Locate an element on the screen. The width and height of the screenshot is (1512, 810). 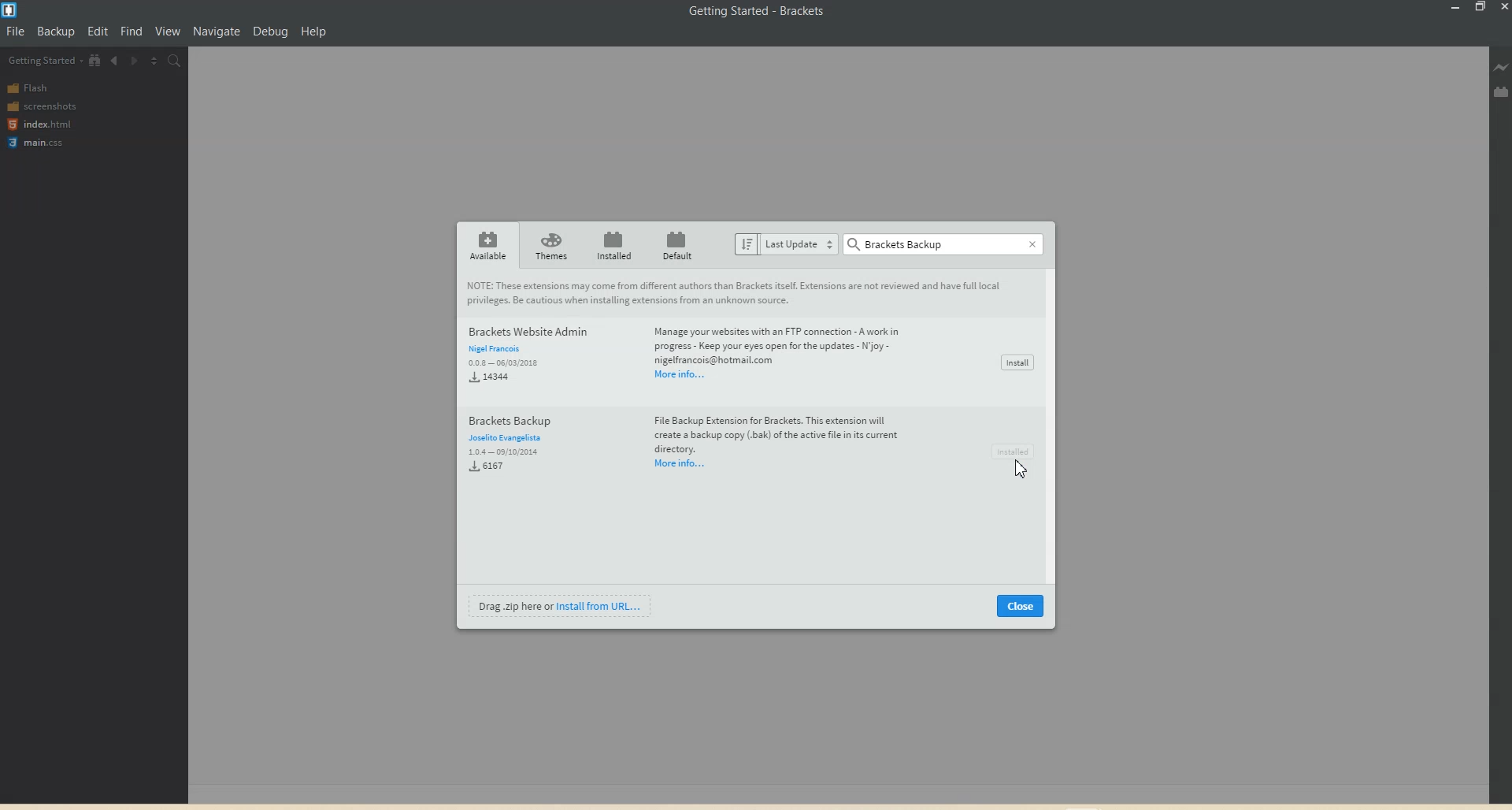
Close is located at coordinates (1021, 606).